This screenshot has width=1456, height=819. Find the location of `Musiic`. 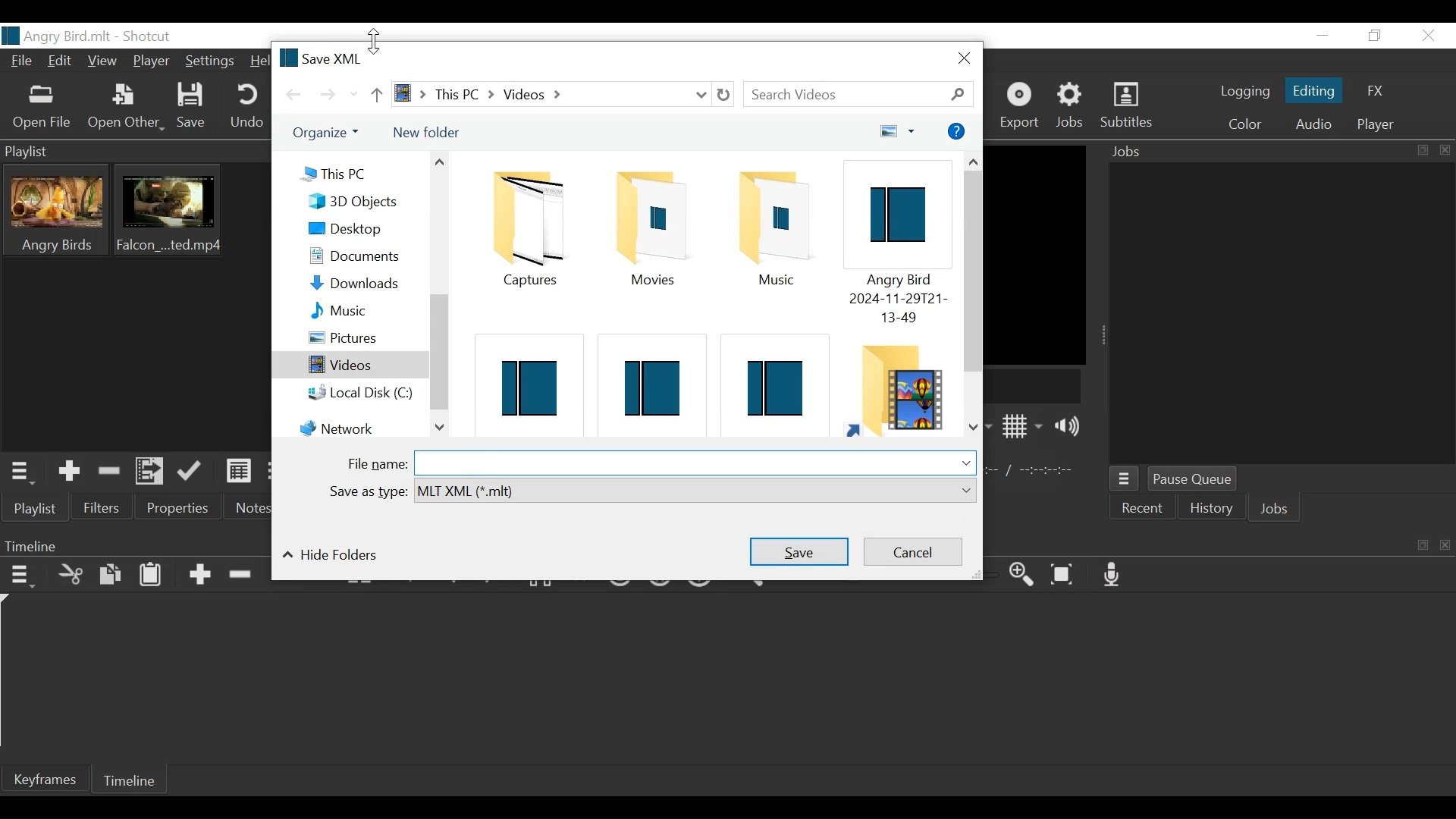

Musiic is located at coordinates (775, 228).